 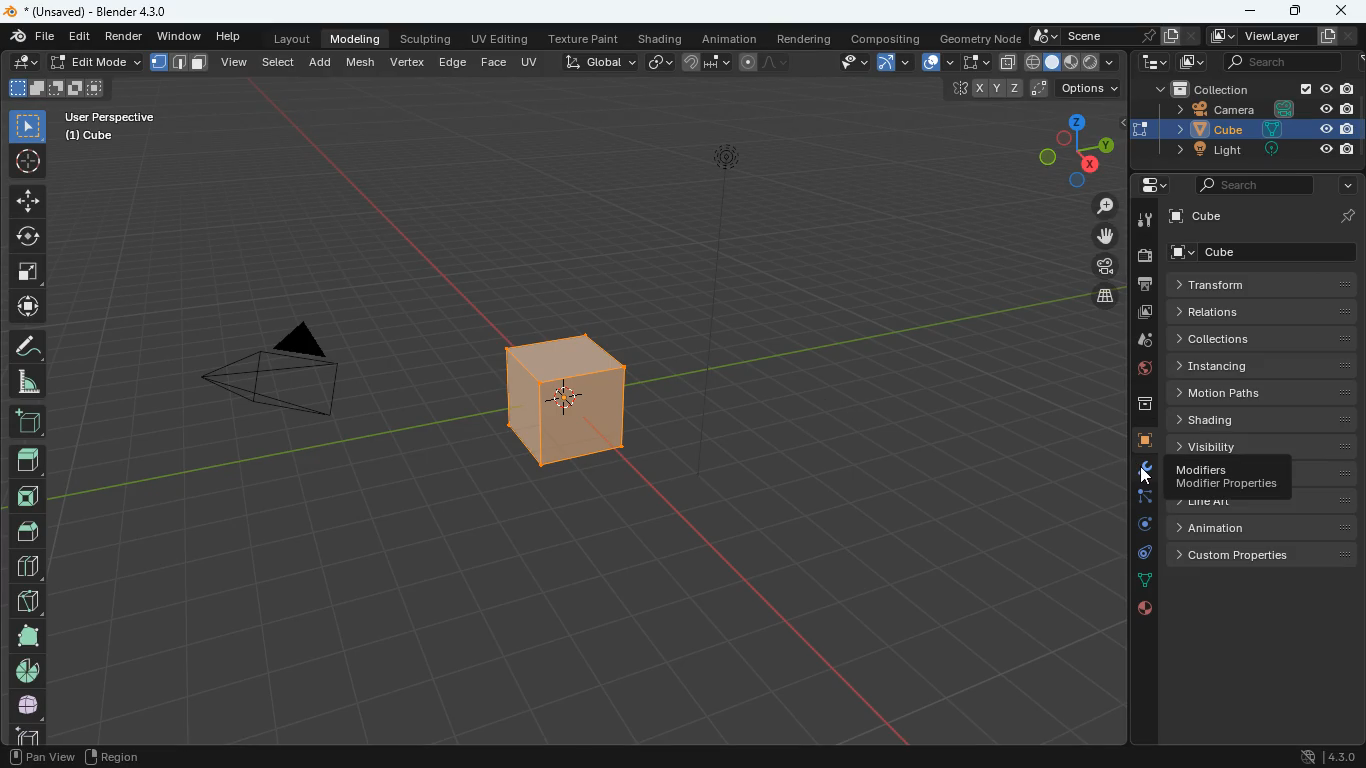 What do you see at coordinates (1149, 473) in the screenshot?
I see `cursor` at bounding box center [1149, 473].